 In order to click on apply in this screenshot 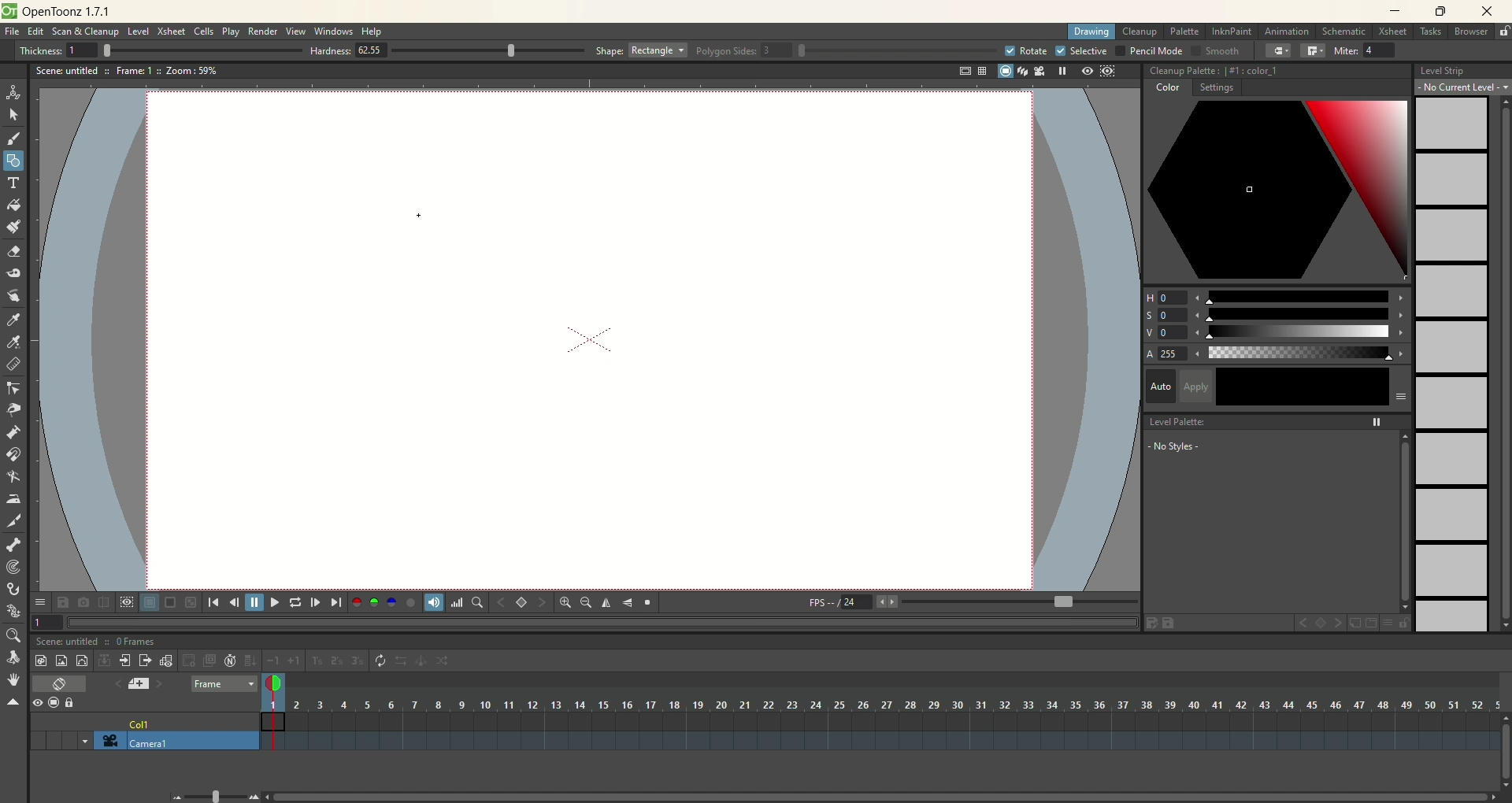, I will do `click(1295, 387)`.